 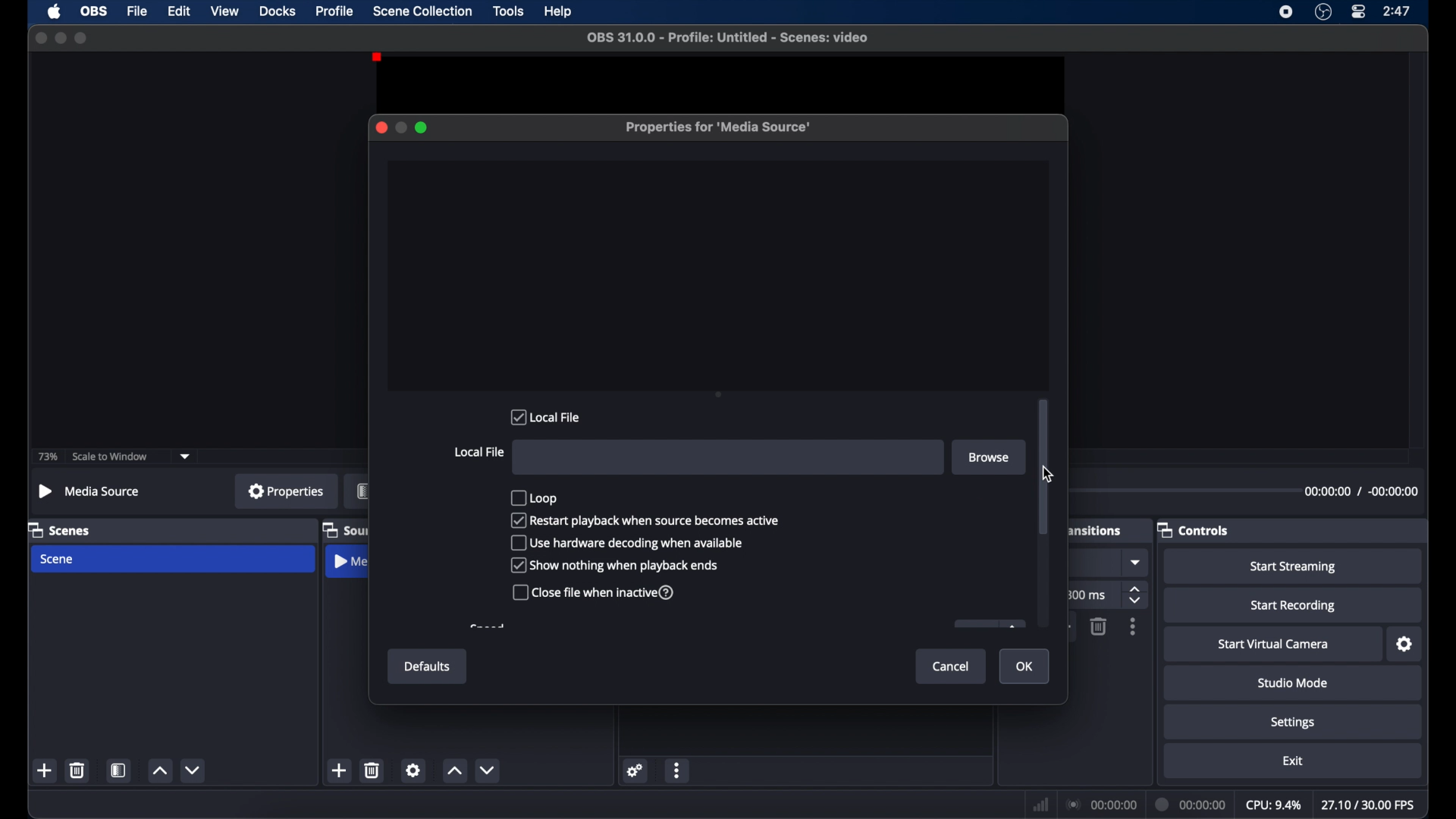 I want to click on maximize, so click(x=423, y=127).